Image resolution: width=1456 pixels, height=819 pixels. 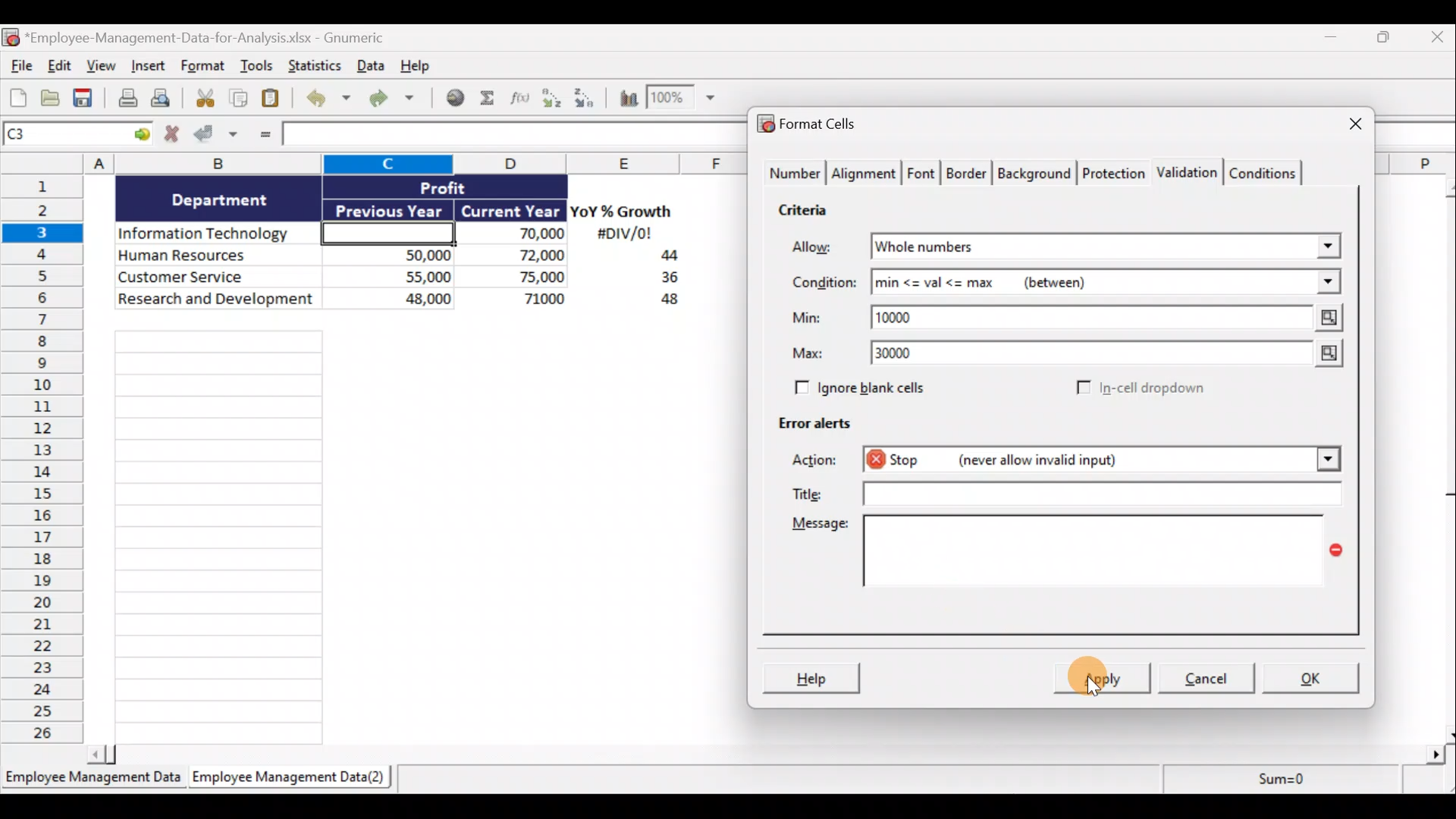 I want to click on 36, so click(x=664, y=280).